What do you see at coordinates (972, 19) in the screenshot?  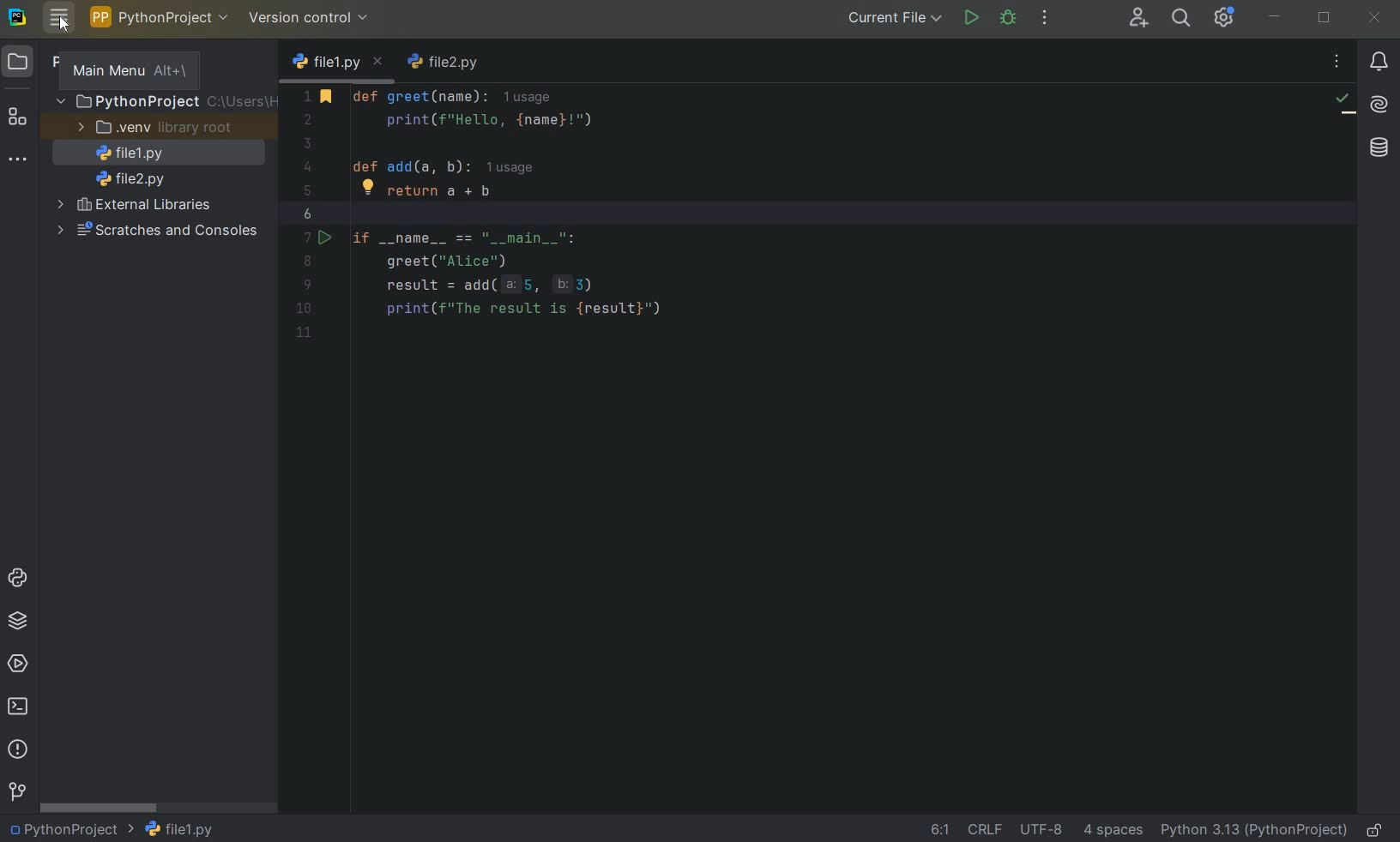 I see `run` at bounding box center [972, 19].